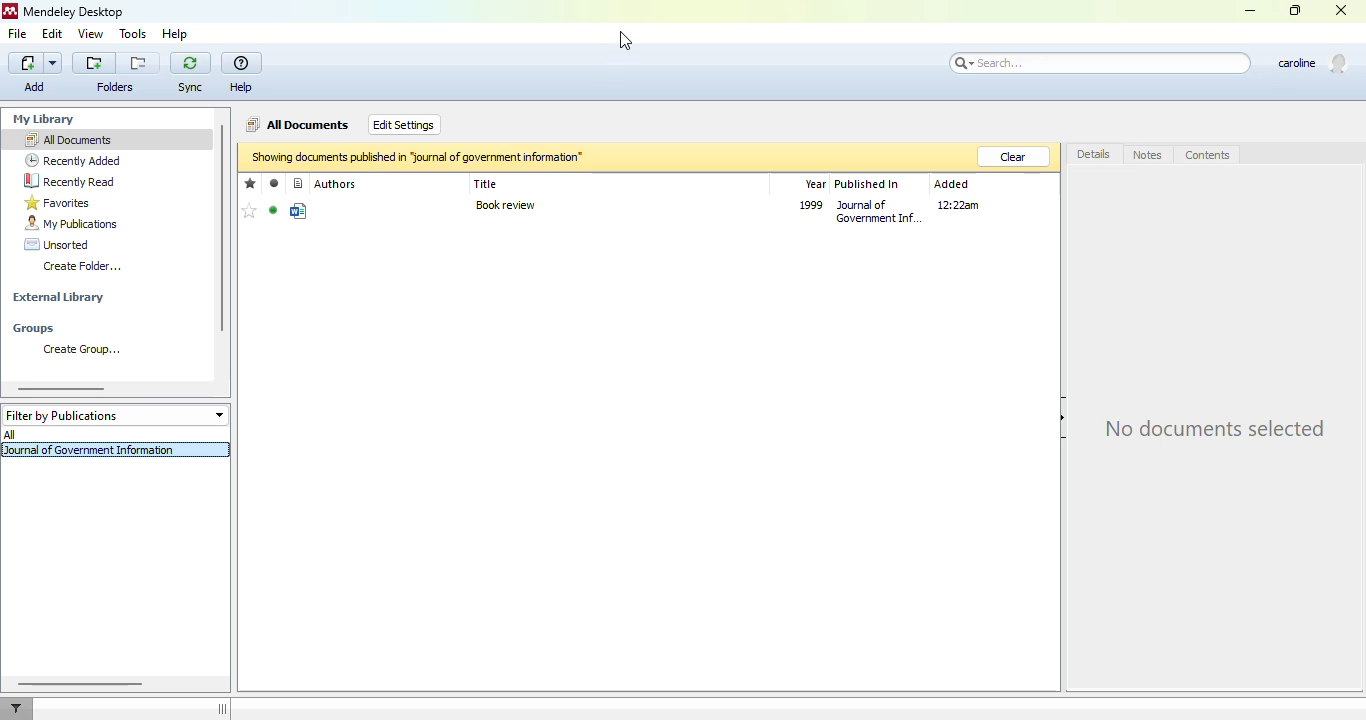 The height and width of the screenshot is (720, 1366). What do you see at coordinates (251, 184) in the screenshot?
I see `favorites` at bounding box center [251, 184].